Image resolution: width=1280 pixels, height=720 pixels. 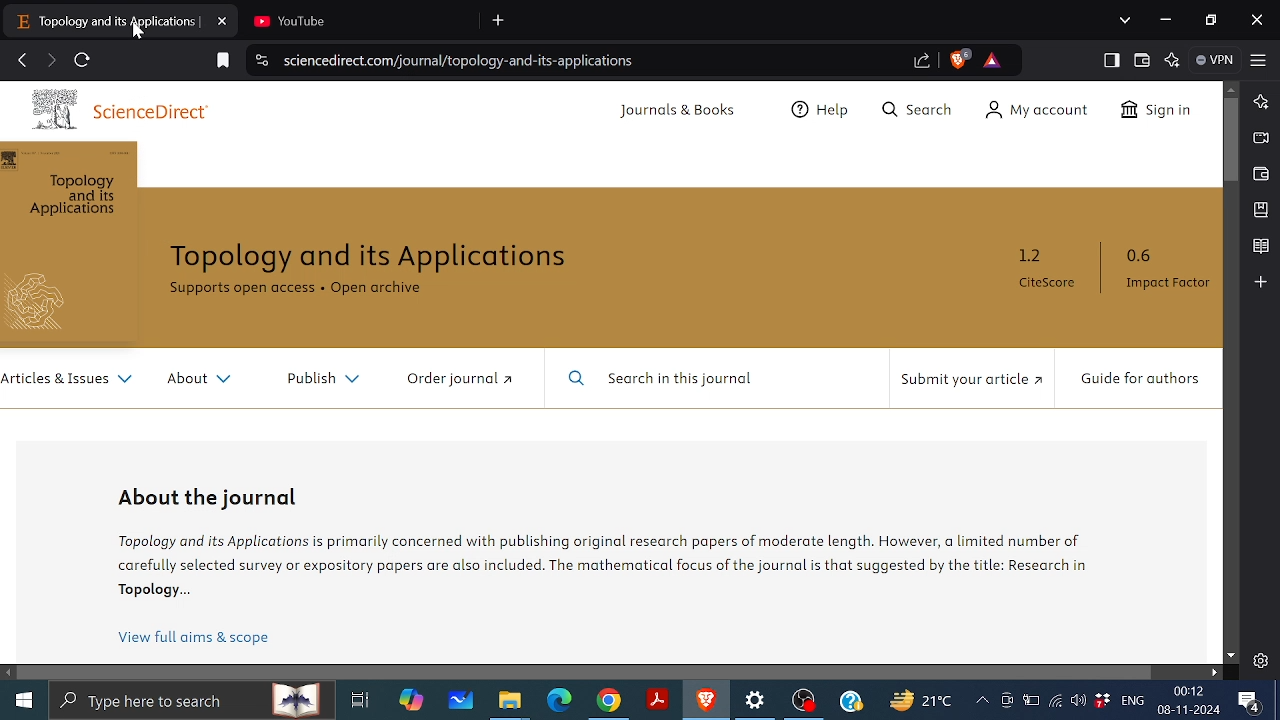 What do you see at coordinates (82, 60) in the screenshot?
I see `reload` at bounding box center [82, 60].